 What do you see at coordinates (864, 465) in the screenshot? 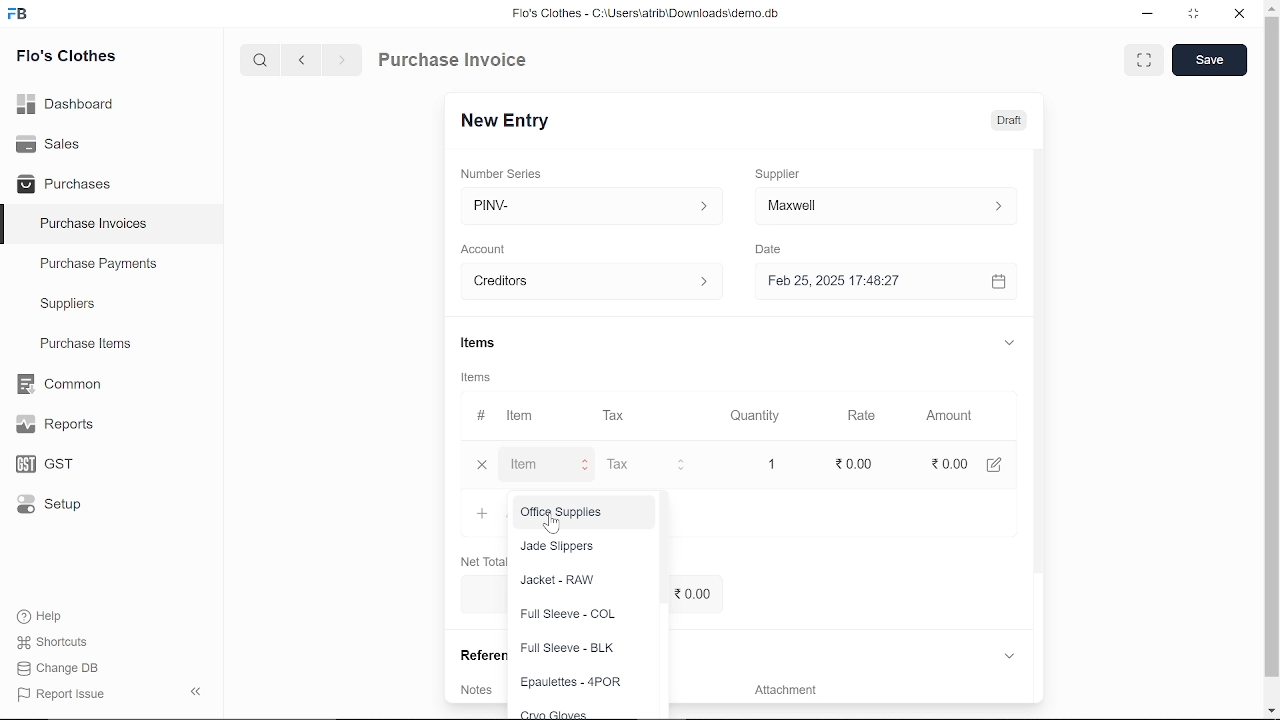
I see `0.00` at bounding box center [864, 465].